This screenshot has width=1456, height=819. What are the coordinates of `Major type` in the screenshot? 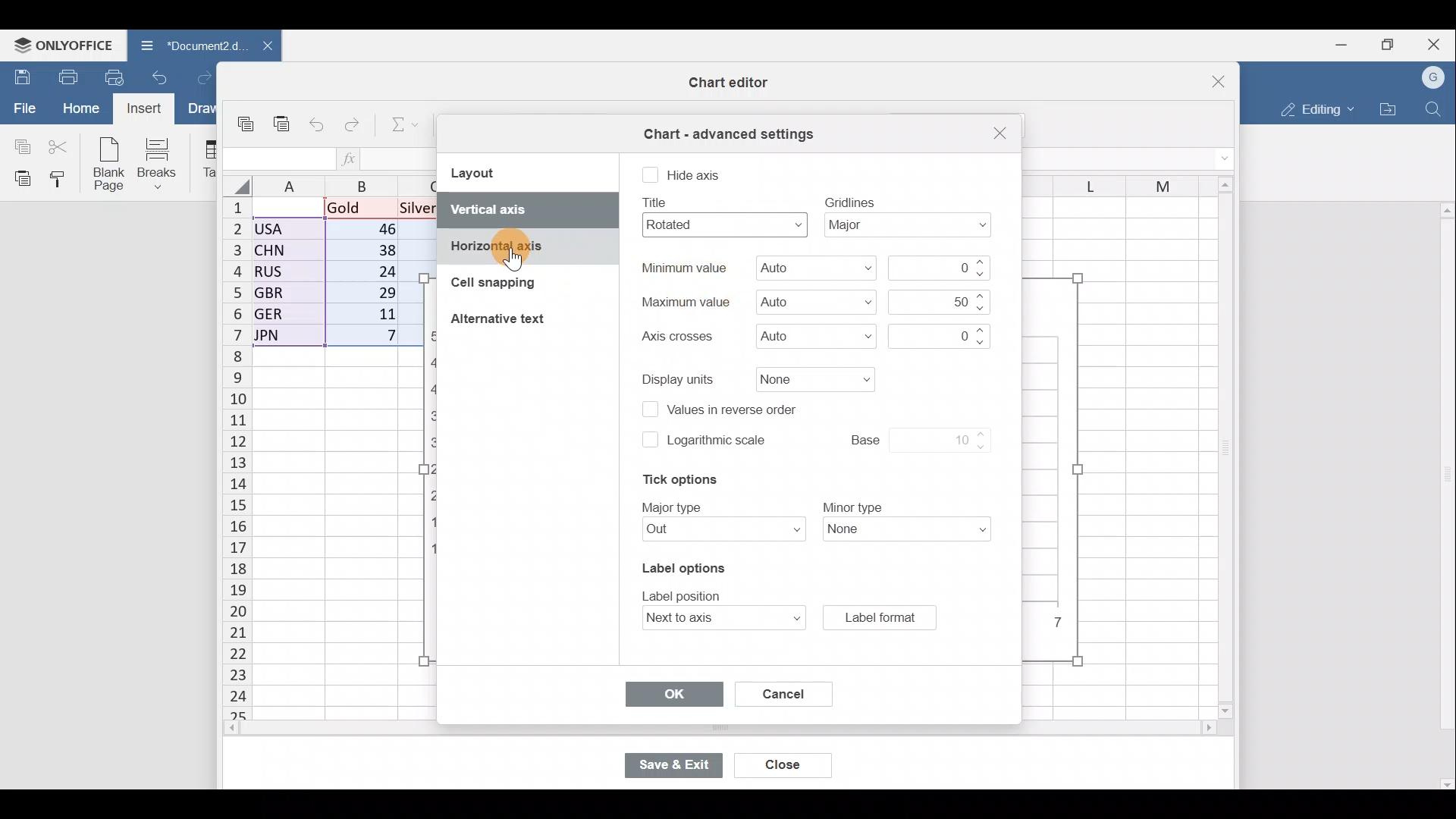 It's located at (718, 530).